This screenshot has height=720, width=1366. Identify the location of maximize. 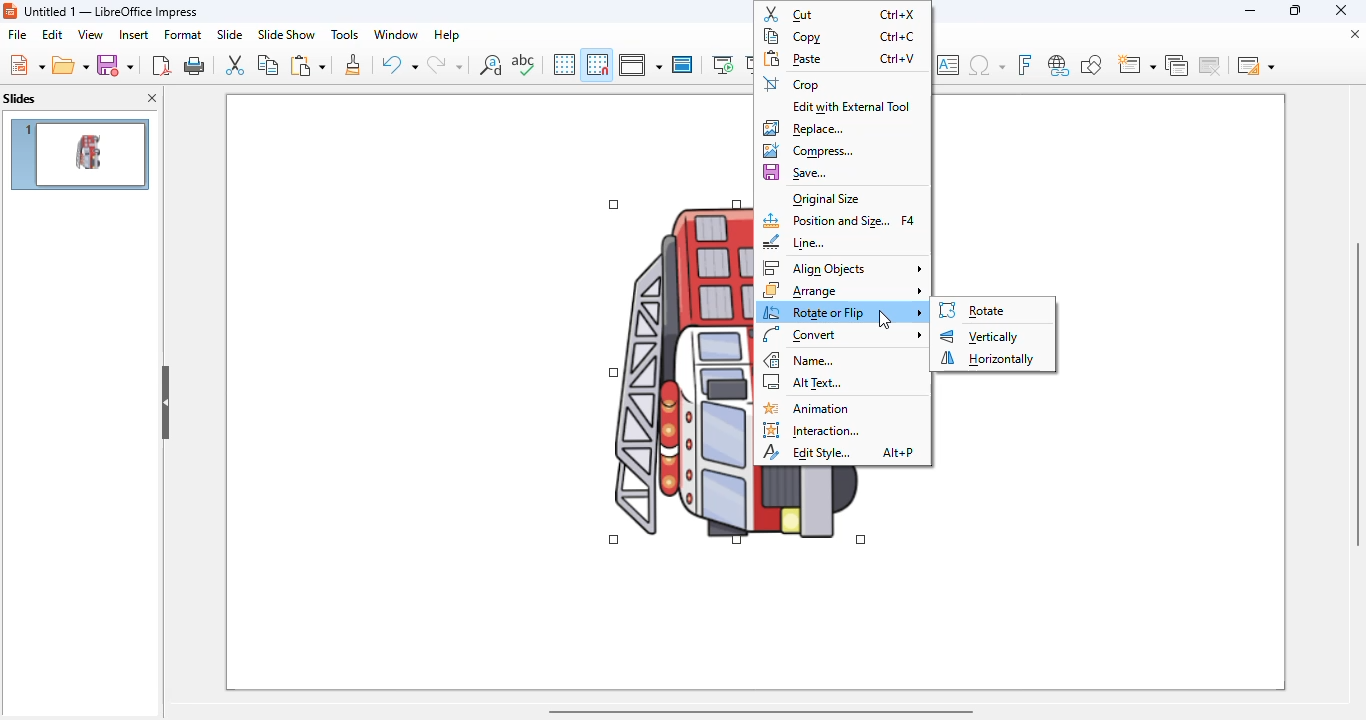
(1294, 10).